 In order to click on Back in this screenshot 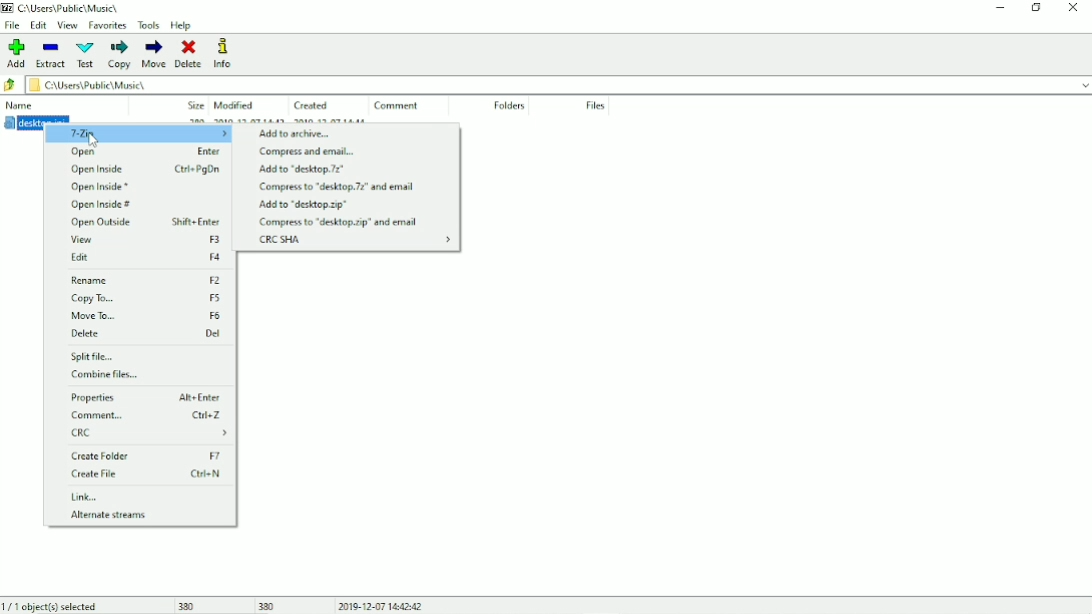, I will do `click(10, 86)`.